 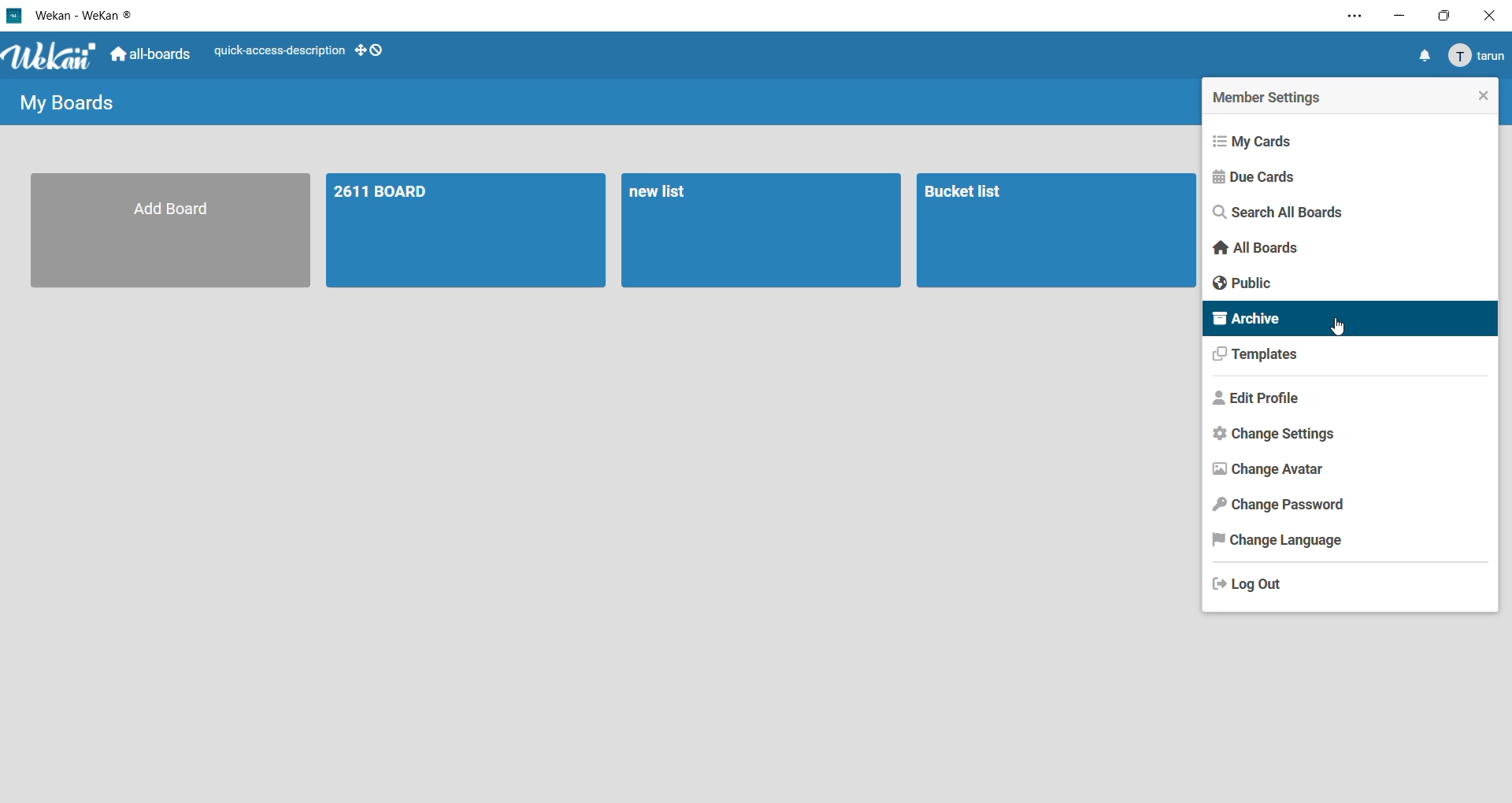 What do you see at coordinates (1255, 179) in the screenshot?
I see `due cards` at bounding box center [1255, 179].